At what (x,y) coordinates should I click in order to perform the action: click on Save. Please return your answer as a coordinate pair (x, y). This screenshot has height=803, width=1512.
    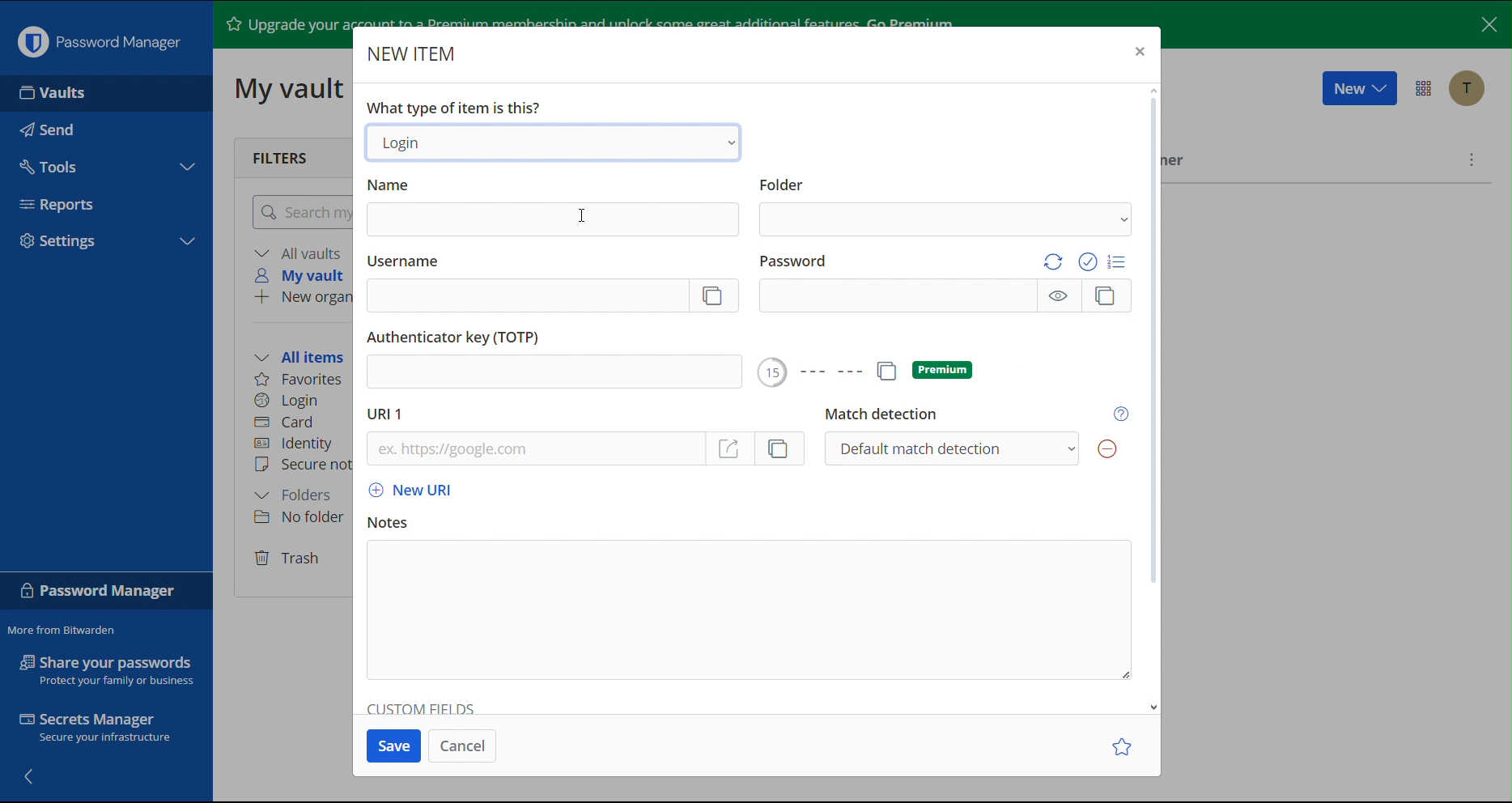
    Looking at the image, I should click on (396, 745).